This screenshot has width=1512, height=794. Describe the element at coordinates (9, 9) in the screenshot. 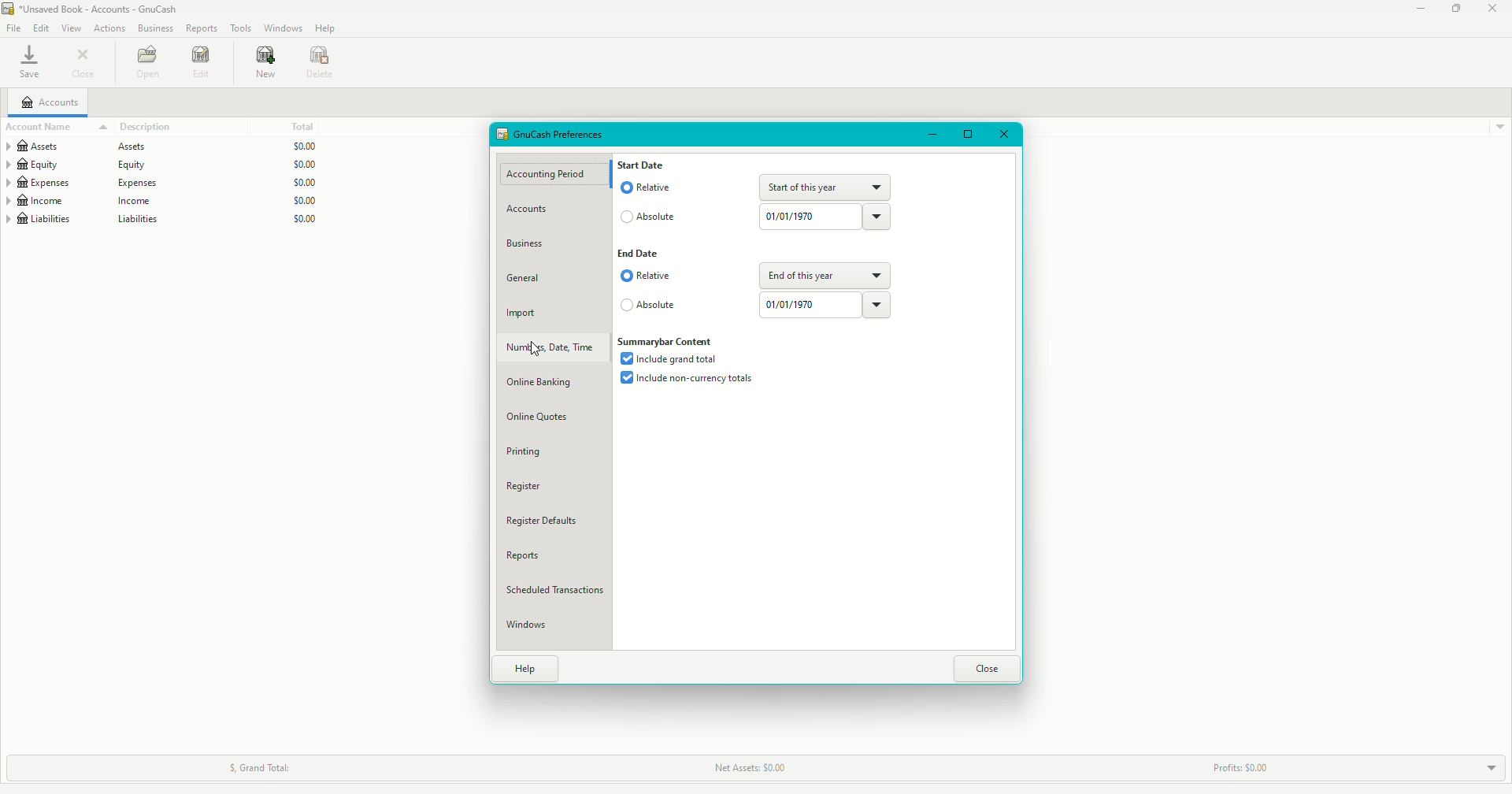

I see `logo` at that location.